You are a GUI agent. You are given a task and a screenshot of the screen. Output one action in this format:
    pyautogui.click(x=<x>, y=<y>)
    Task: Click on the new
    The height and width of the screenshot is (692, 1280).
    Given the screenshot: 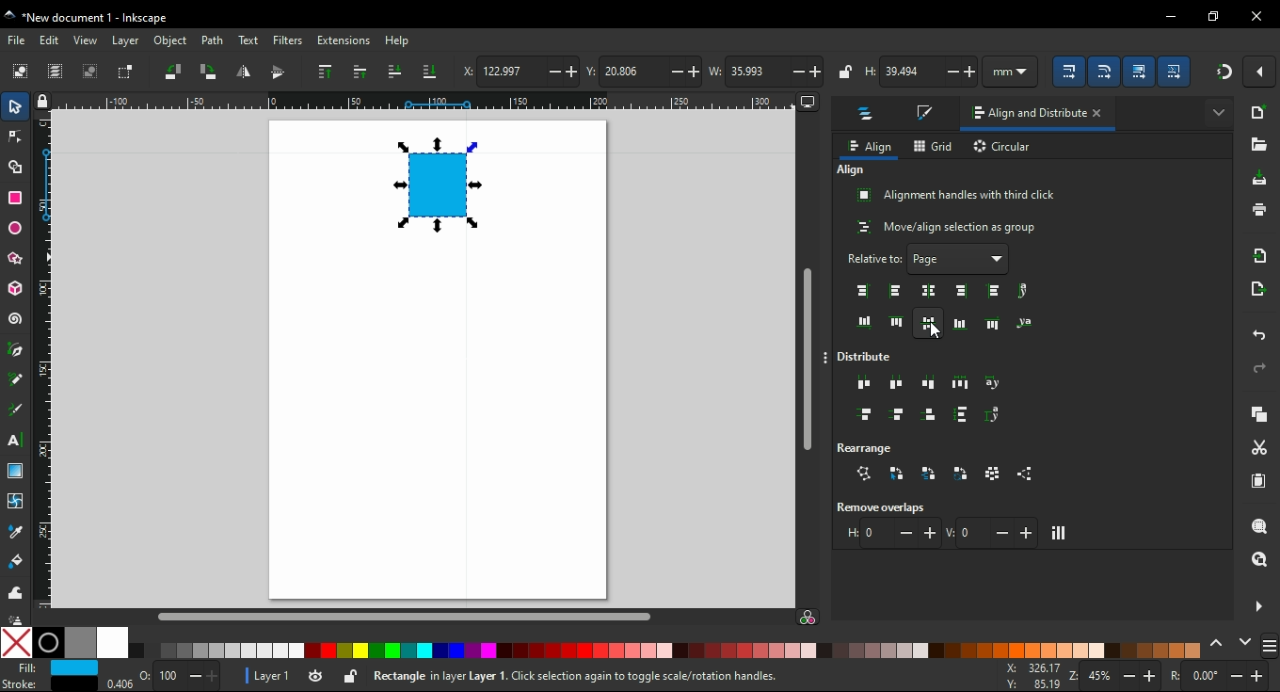 What is the action you would take?
    pyautogui.click(x=1260, y=112)
    